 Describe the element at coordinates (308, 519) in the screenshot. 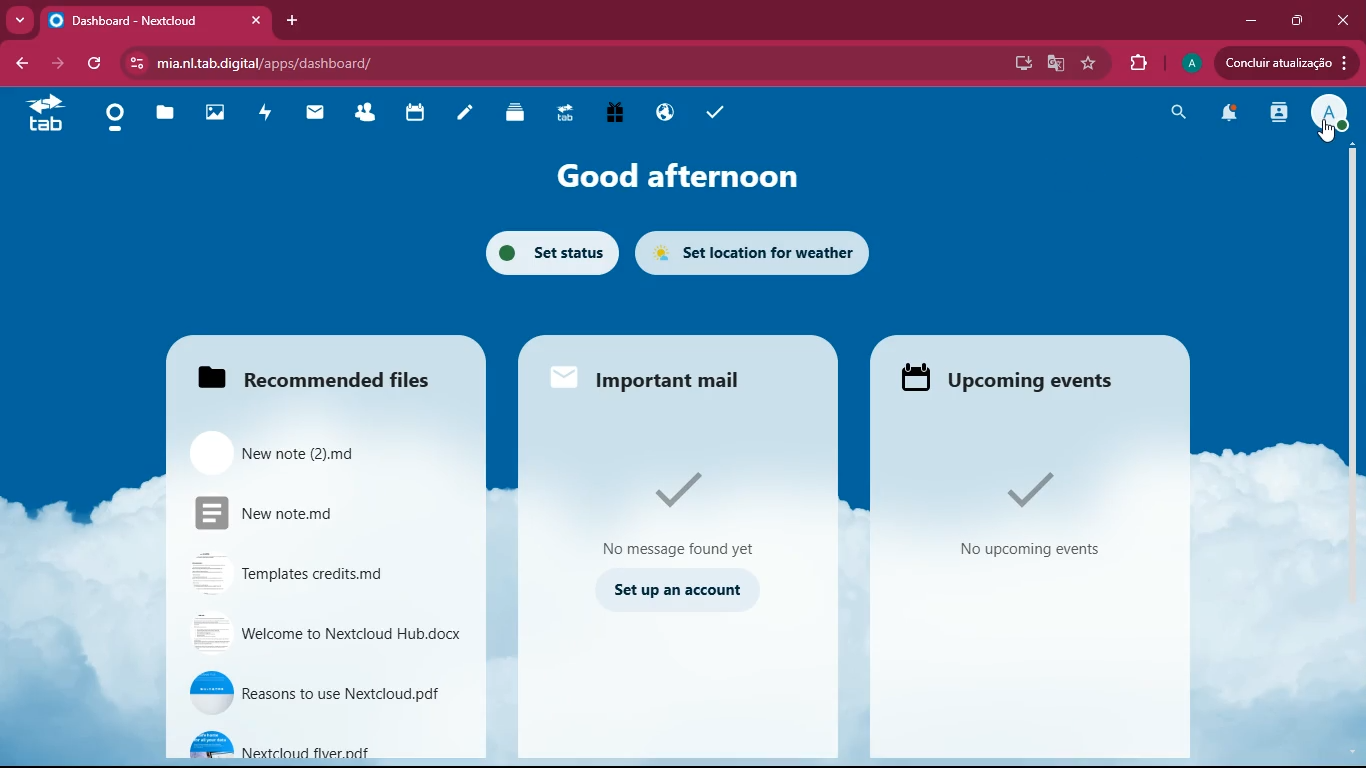

I see `New note.md` at that location.